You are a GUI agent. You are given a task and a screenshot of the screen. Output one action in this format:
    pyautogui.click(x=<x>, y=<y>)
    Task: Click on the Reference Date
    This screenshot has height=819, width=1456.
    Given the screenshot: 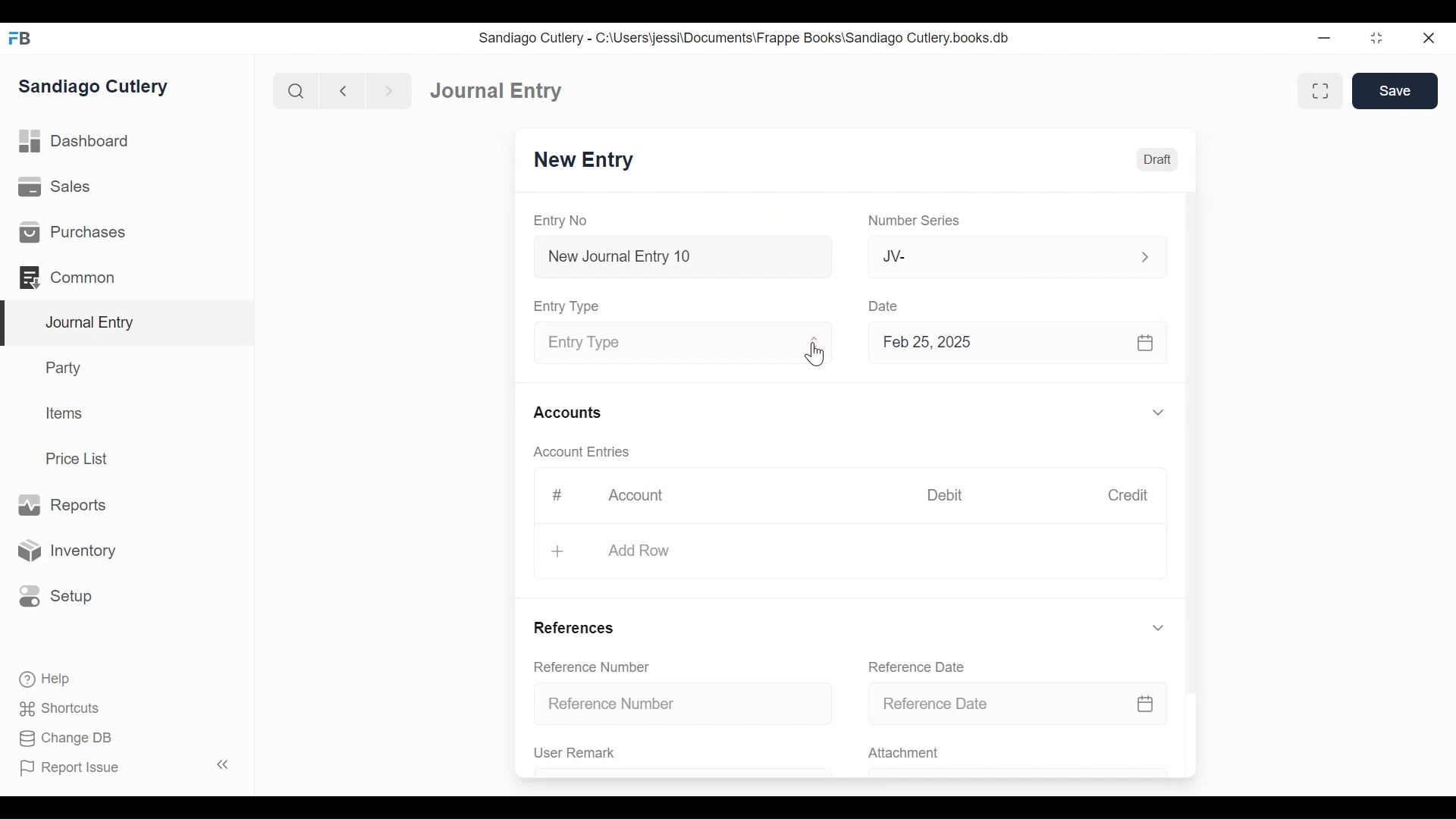 What is the action you would take?
    pyautogui.click(x=921, y=667)
    